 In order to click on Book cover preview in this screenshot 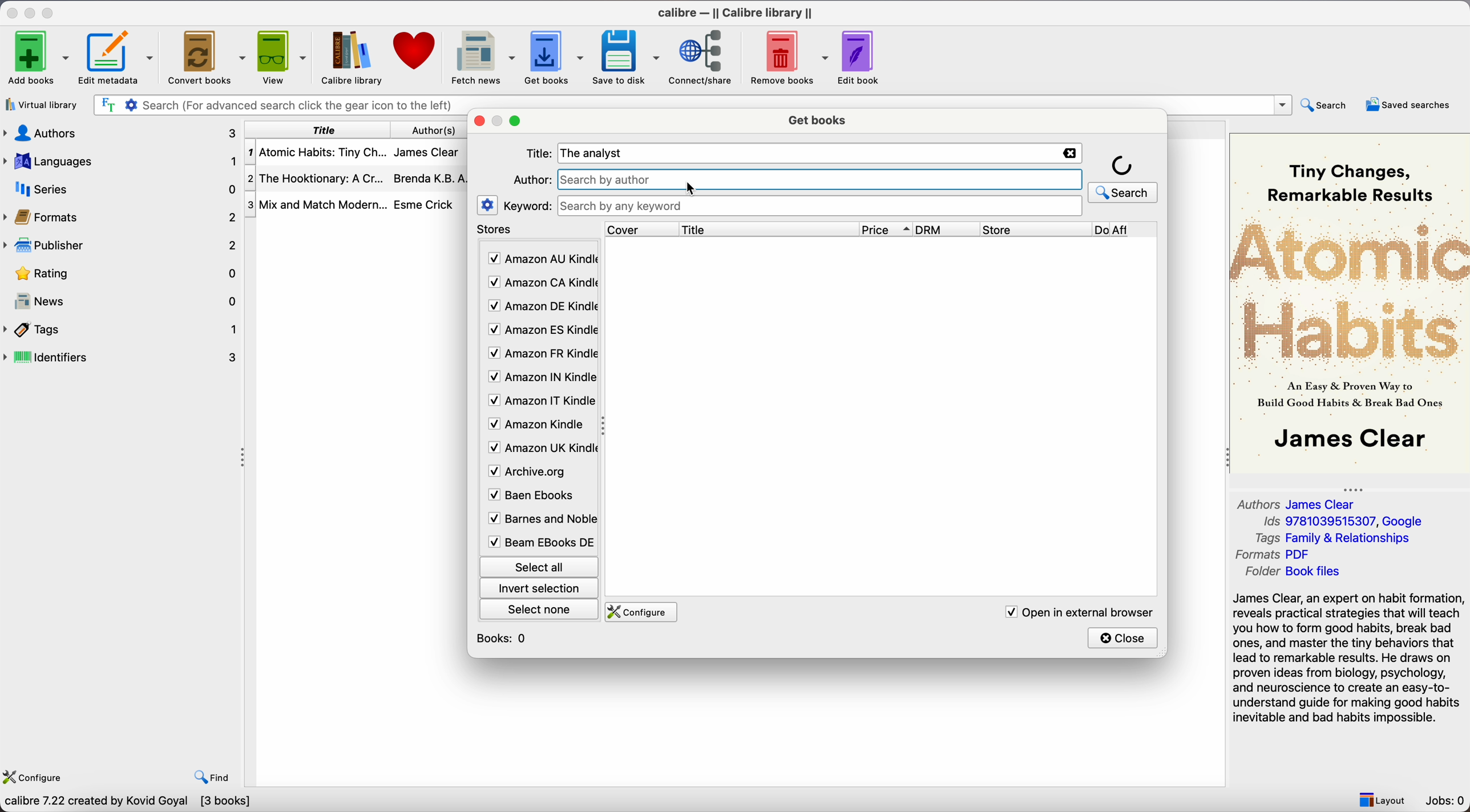, I will do `click(1350, 302)`.